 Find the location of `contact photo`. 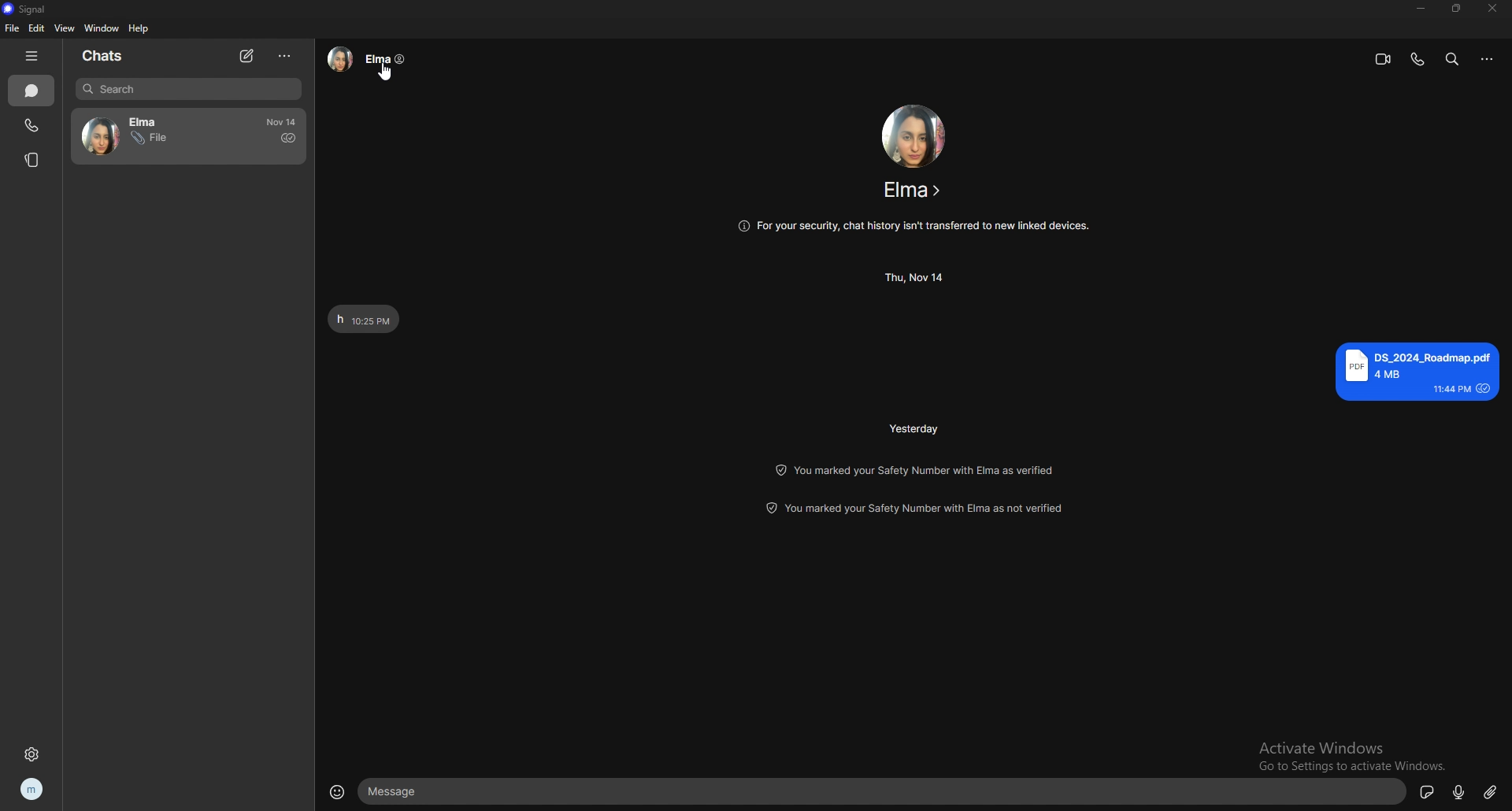

contact photo is located at coordinates (918, 134).